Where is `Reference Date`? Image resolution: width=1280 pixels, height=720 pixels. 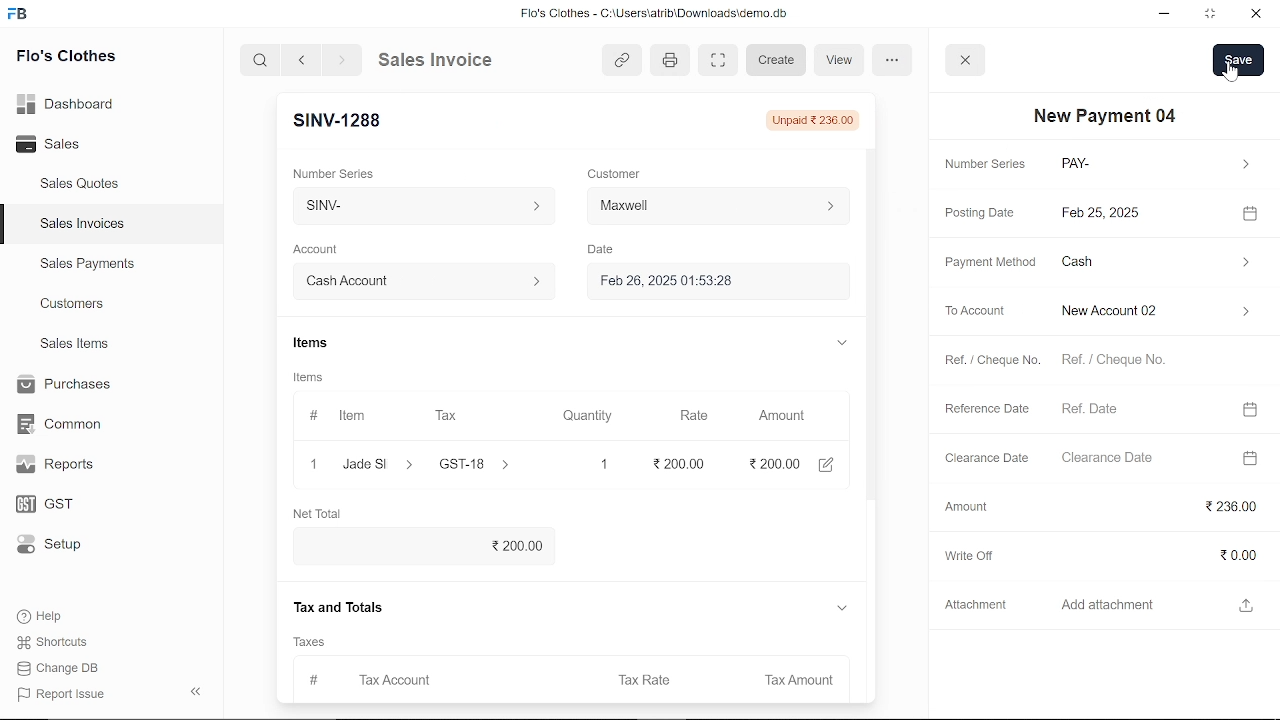 Reference Date is located at coordinates (986, 409).